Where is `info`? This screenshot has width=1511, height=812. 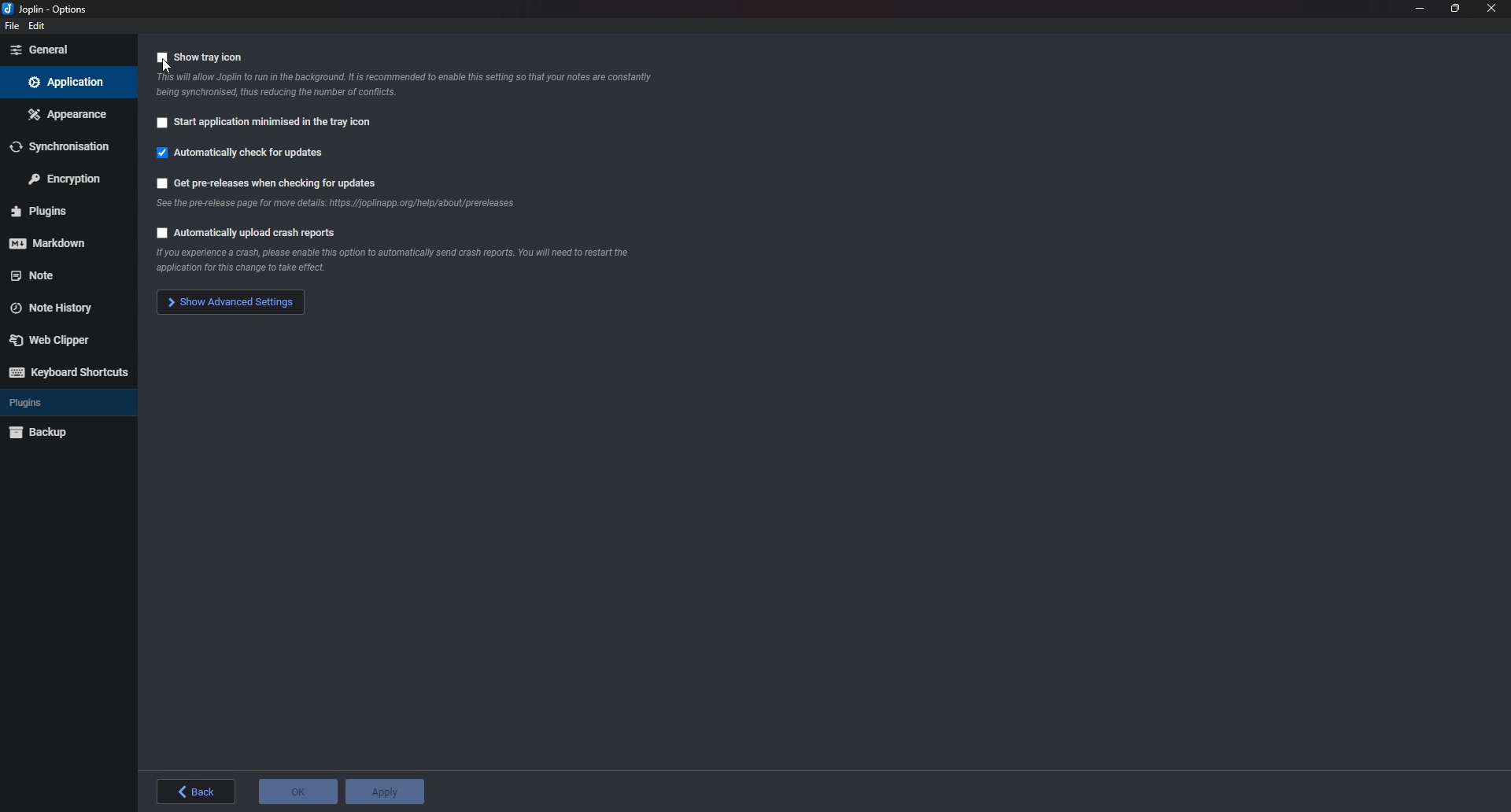 info is located at coordinates (388, 262).